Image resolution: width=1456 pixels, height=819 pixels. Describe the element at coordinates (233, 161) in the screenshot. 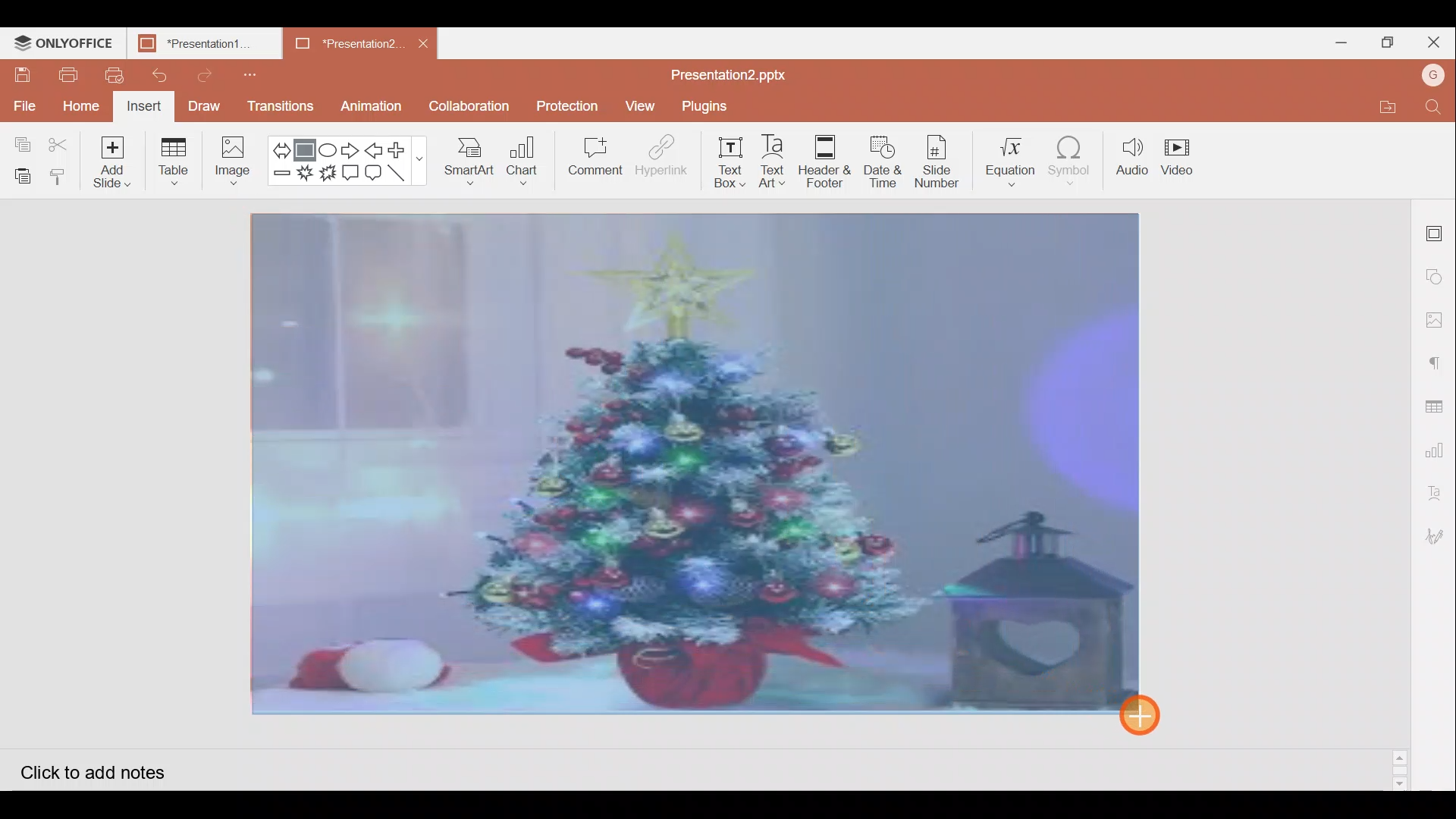

I see `Image` at that location.